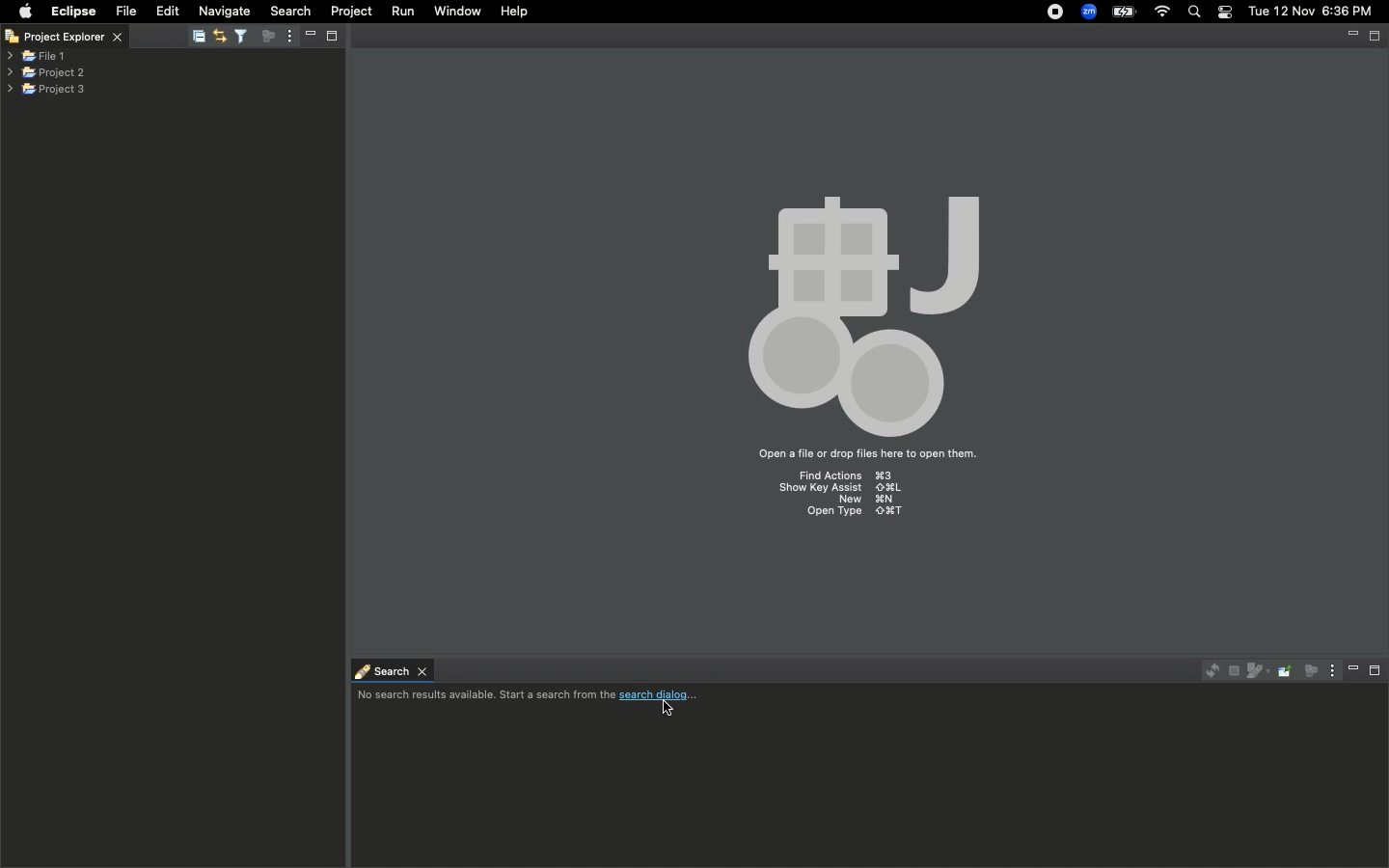 The image size is (1389, 868). Describe the element at coordinates (334, 35) in the screenshot. I see `maximize` at that location.